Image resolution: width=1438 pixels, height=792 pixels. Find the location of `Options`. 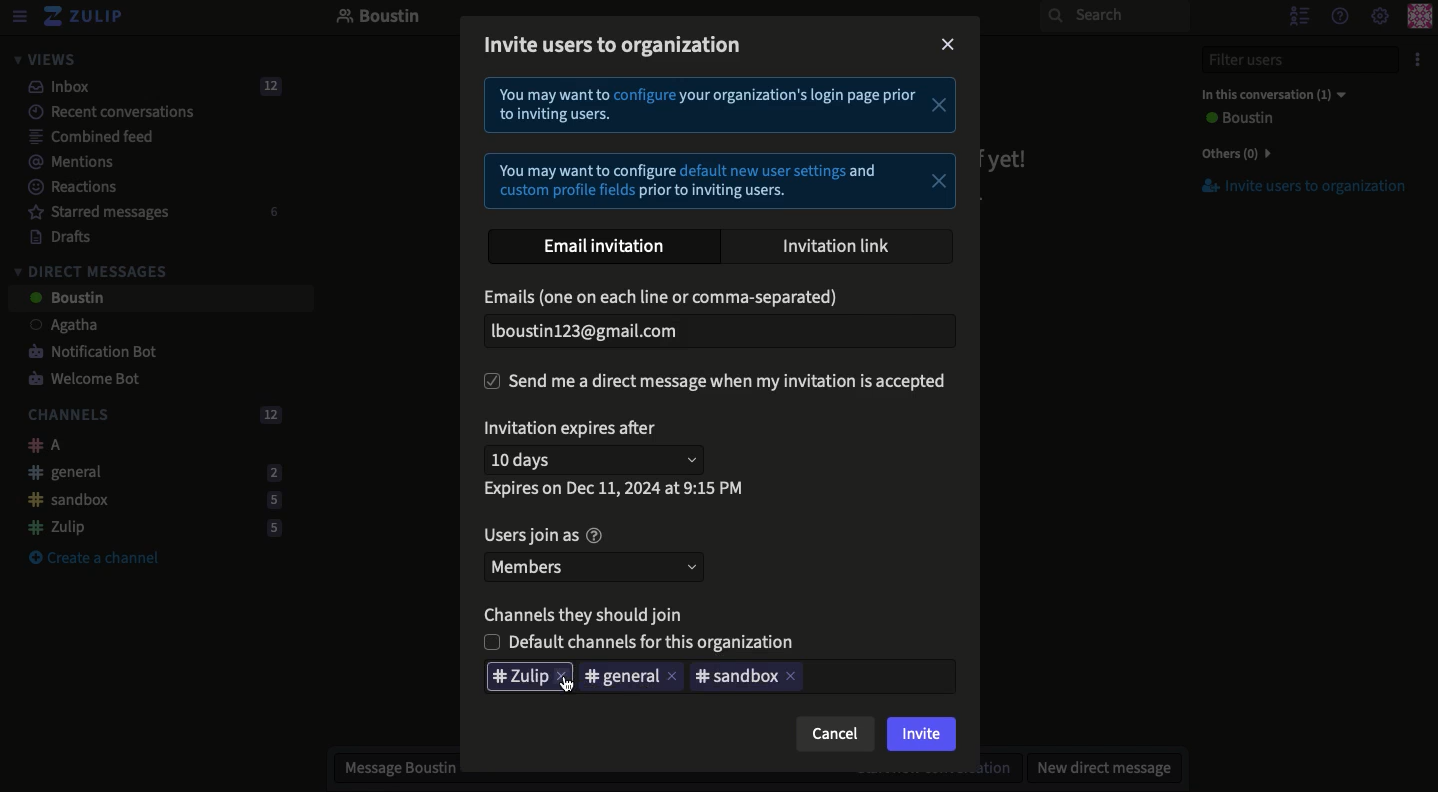

Options is located at coordinates (1415, 60).